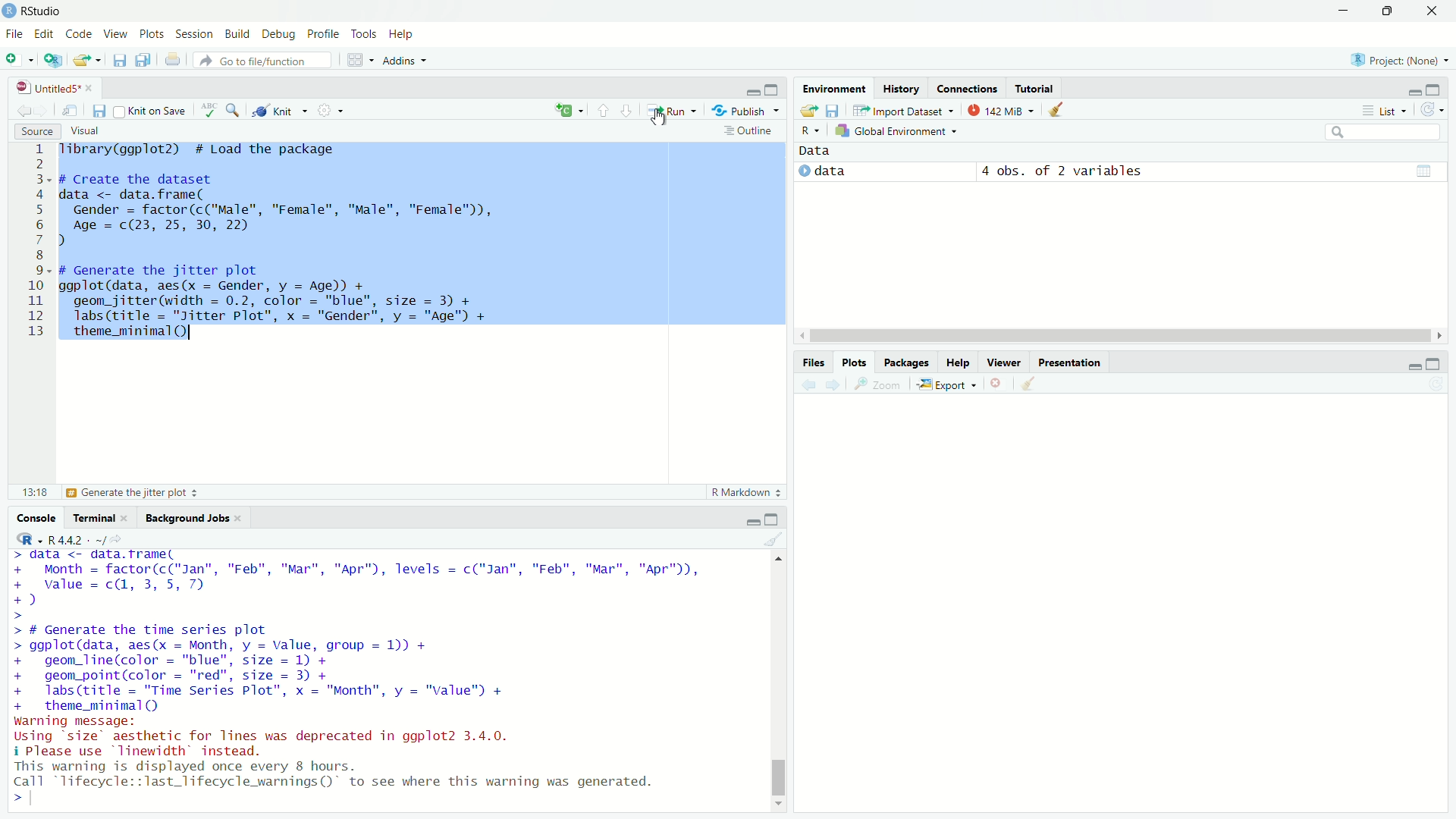 The height and width of the screenshot is (819, 1456). I want to click on close, so click(243, 517).